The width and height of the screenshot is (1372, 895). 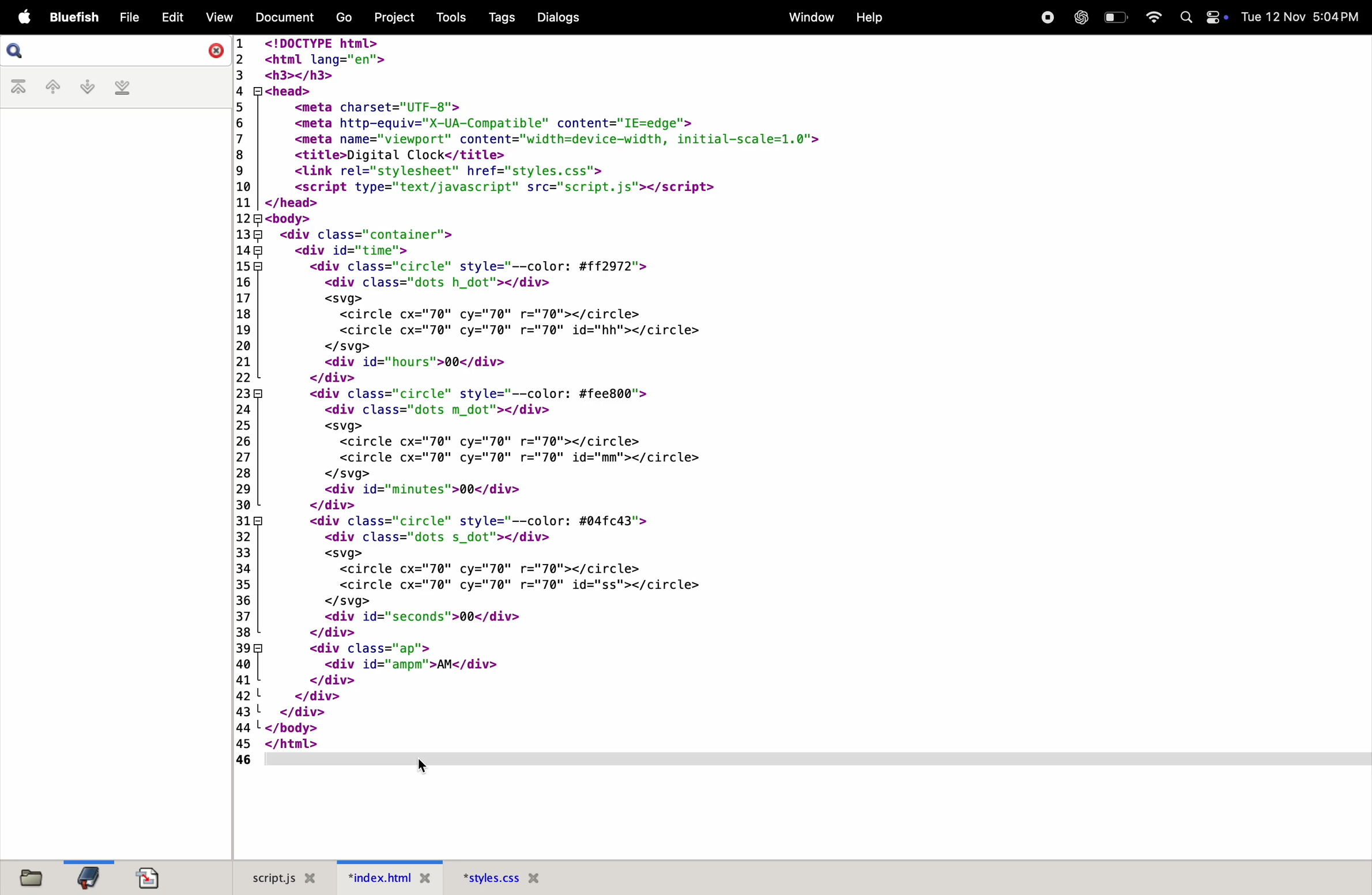 I want to click on dialogs, so click(x=559, y=17).